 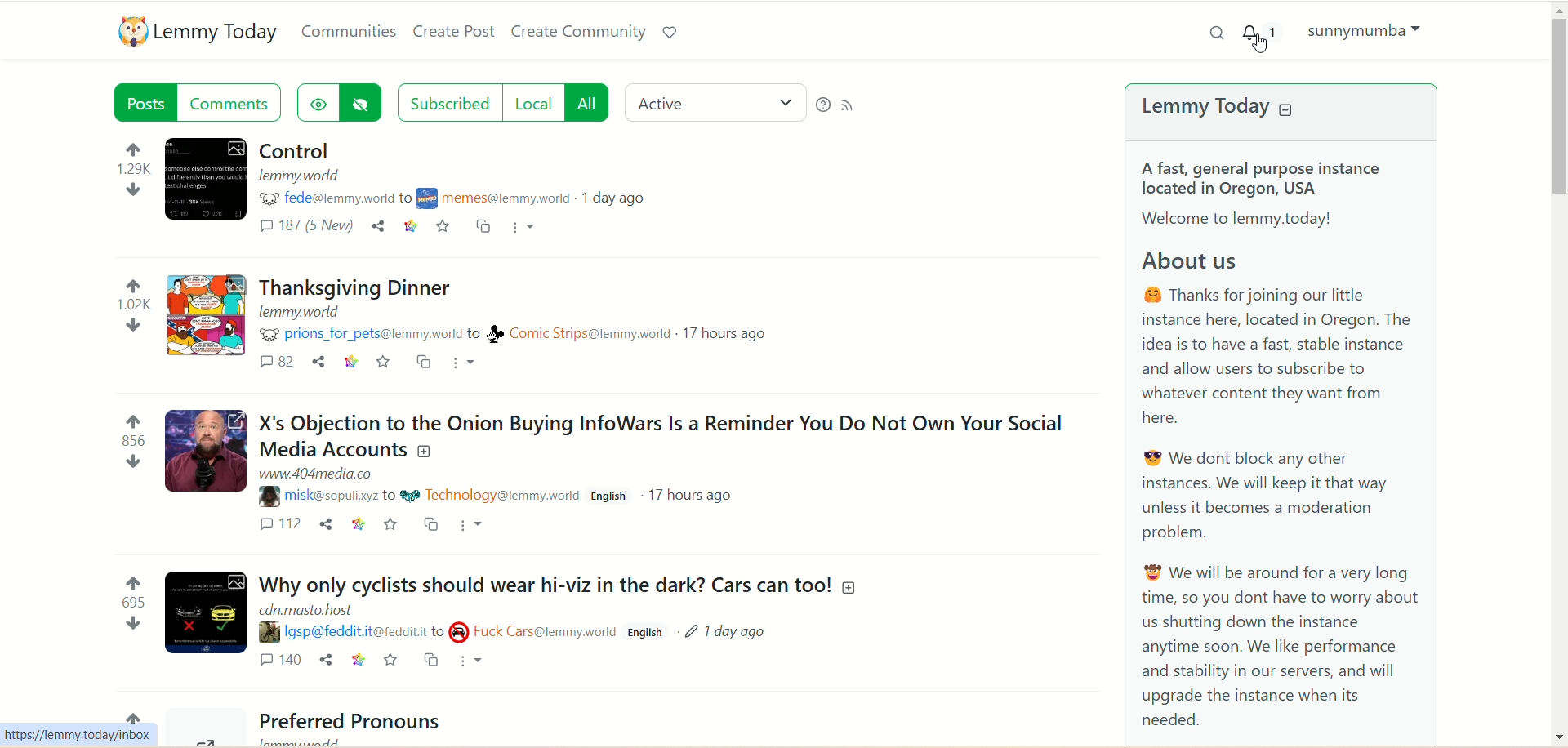 I want to click on vertical scroll bar, so click(x=1558, y=374).